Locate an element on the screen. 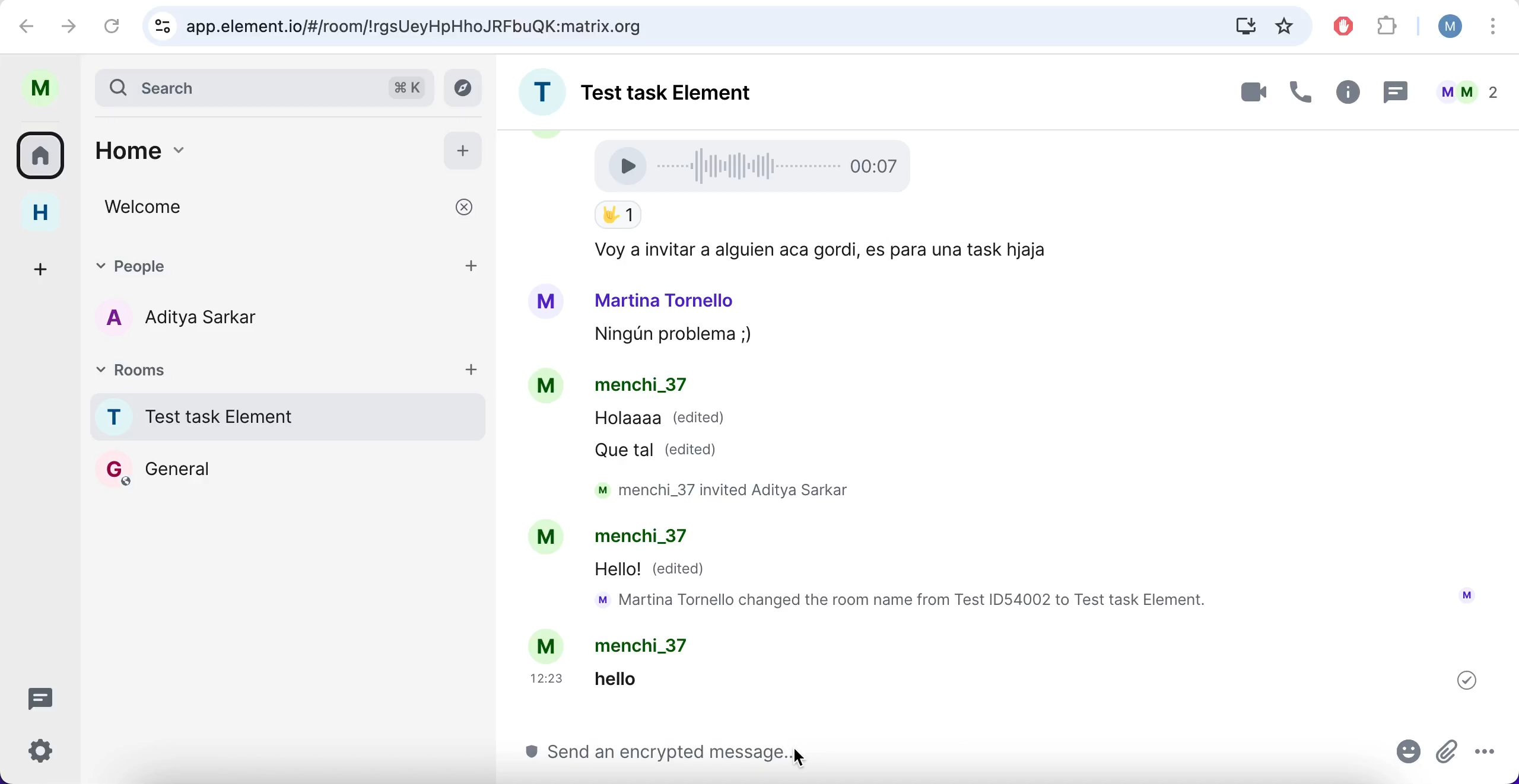 This screenshot has width=1519, height=784. 12:23 is located at coordinates (549, 678).